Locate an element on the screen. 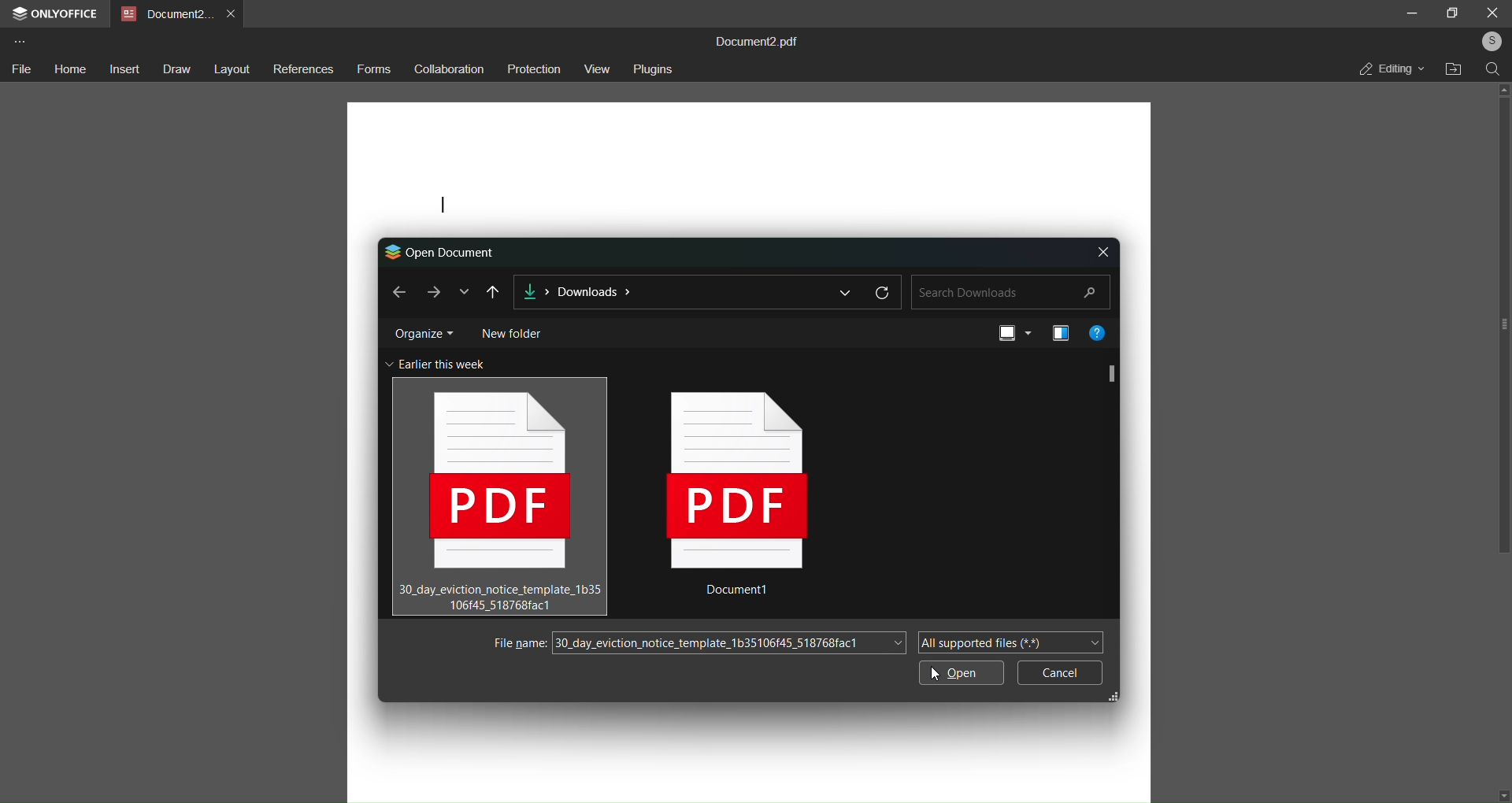 The height and width of the screenshot is (803, 1512). selected file name is located at coordinates (728, 642).